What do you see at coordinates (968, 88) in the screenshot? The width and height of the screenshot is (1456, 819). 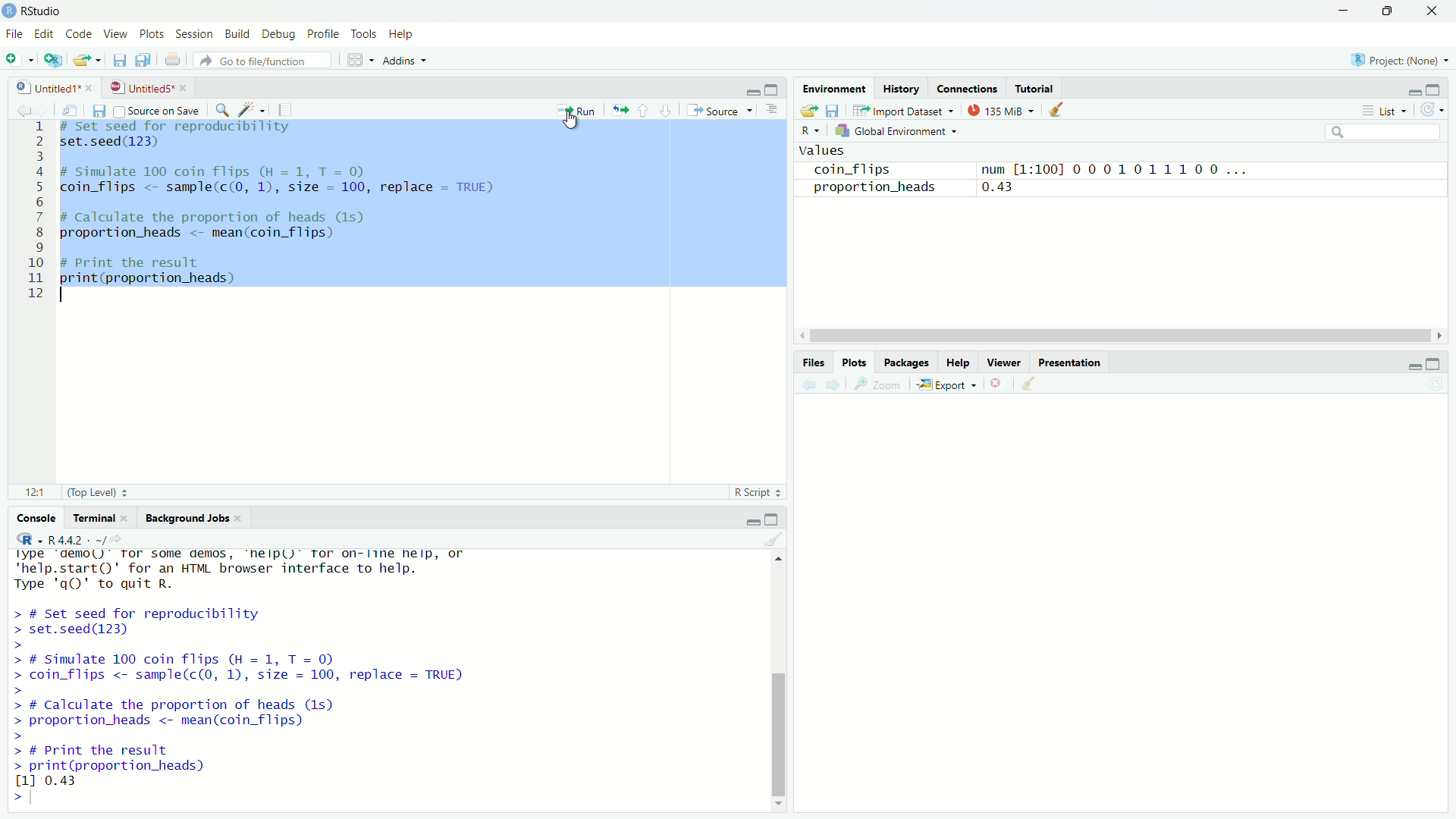 I see `Connections` at bounding box center [968, 88].